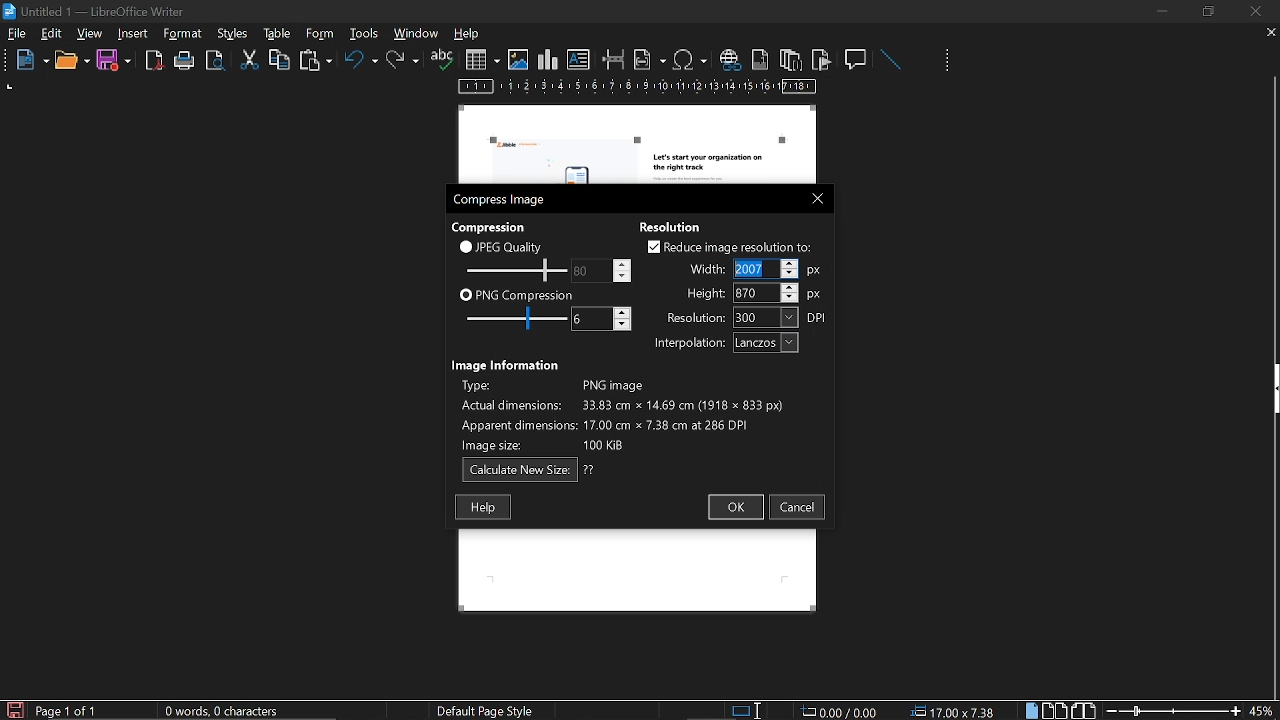 This screenshot has width=1280, height=720. What do you see at coordinates (155, 61) in the screenshot?
I see `export as pdf` at bounding box center [155, 61].